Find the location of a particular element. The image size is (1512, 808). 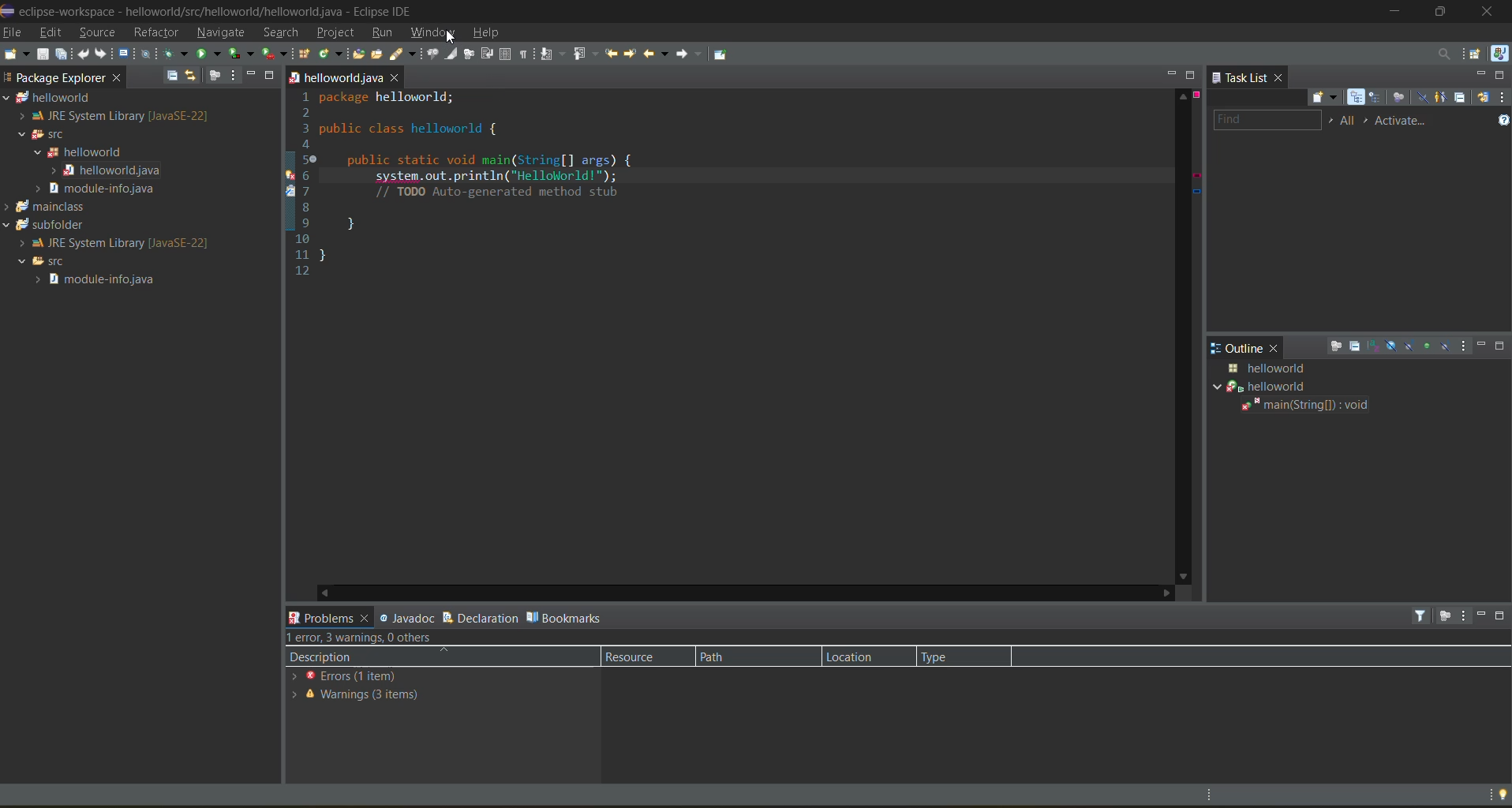

line info is located at coordinates (283, 189).